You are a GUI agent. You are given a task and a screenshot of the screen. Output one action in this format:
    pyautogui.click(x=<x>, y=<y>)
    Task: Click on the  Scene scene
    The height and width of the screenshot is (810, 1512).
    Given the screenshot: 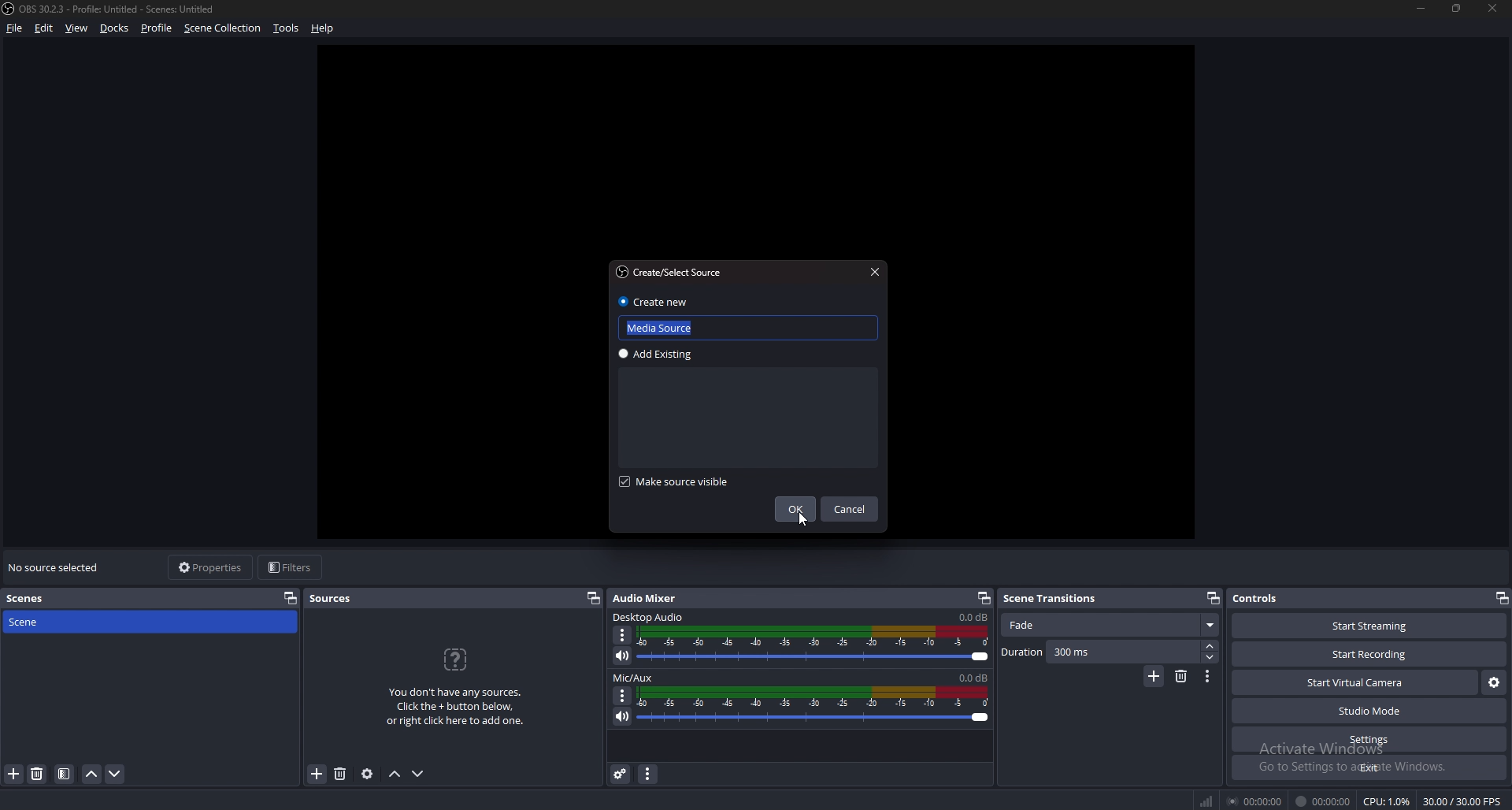 What is the action you would take?
    pyautogui.click(x=35, y=620)
    